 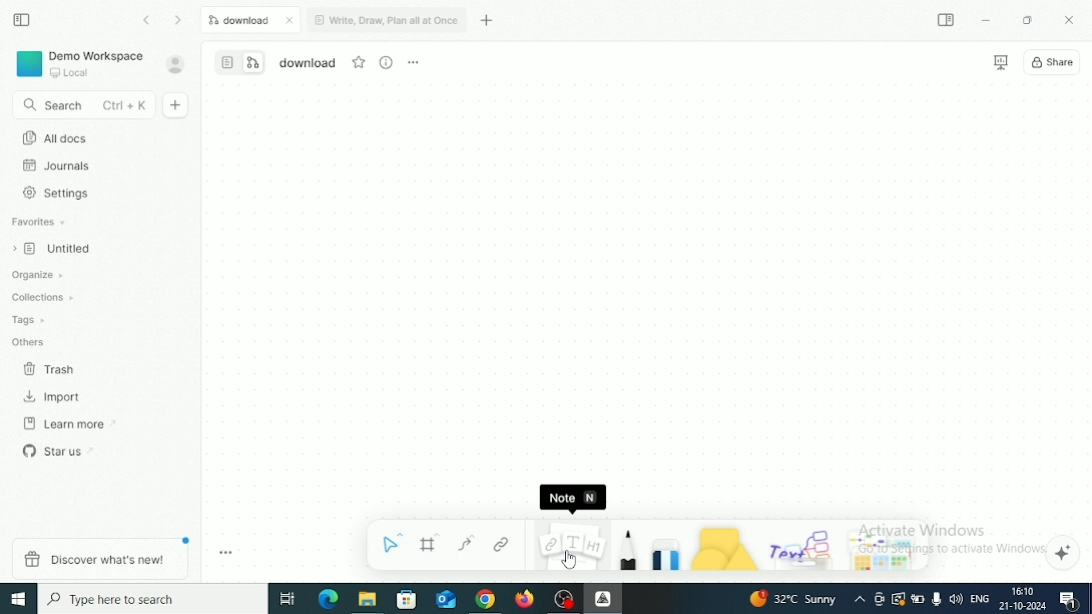 I want to click on Favourite, so click(x=360, y=62).